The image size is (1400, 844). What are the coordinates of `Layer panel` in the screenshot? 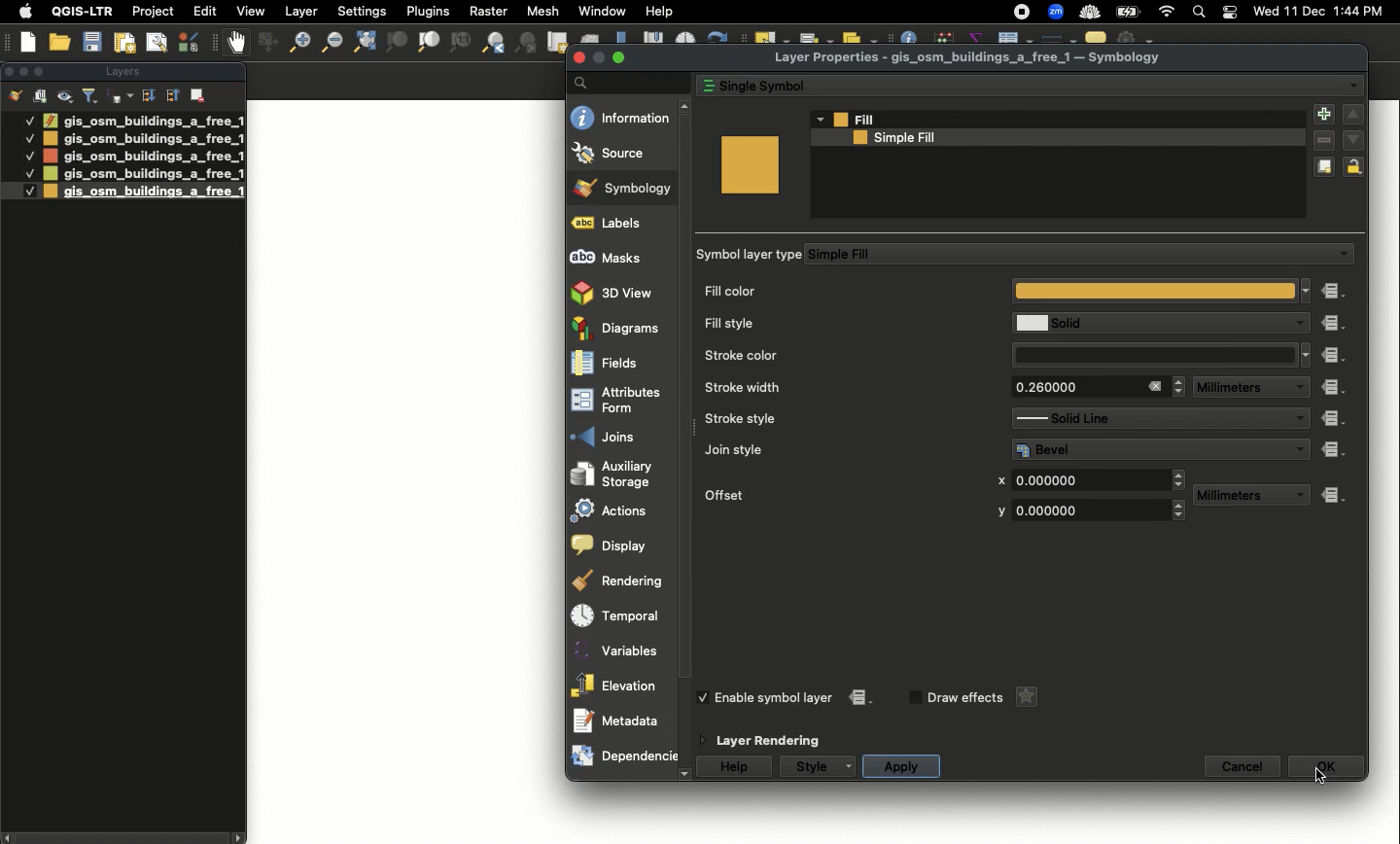 It's located at (121, 73).